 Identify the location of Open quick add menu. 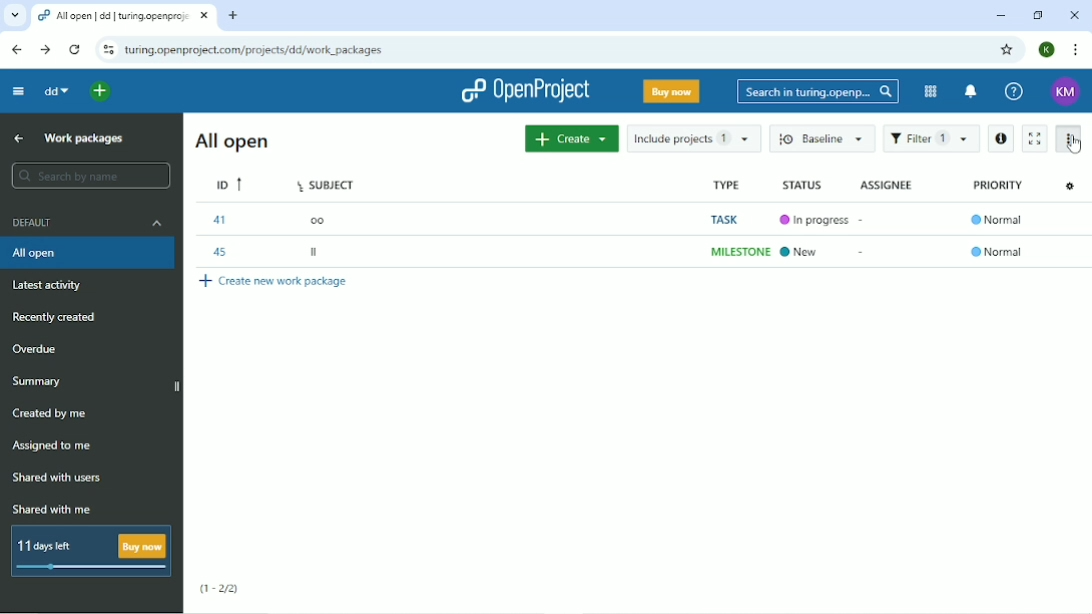
(102, 92).